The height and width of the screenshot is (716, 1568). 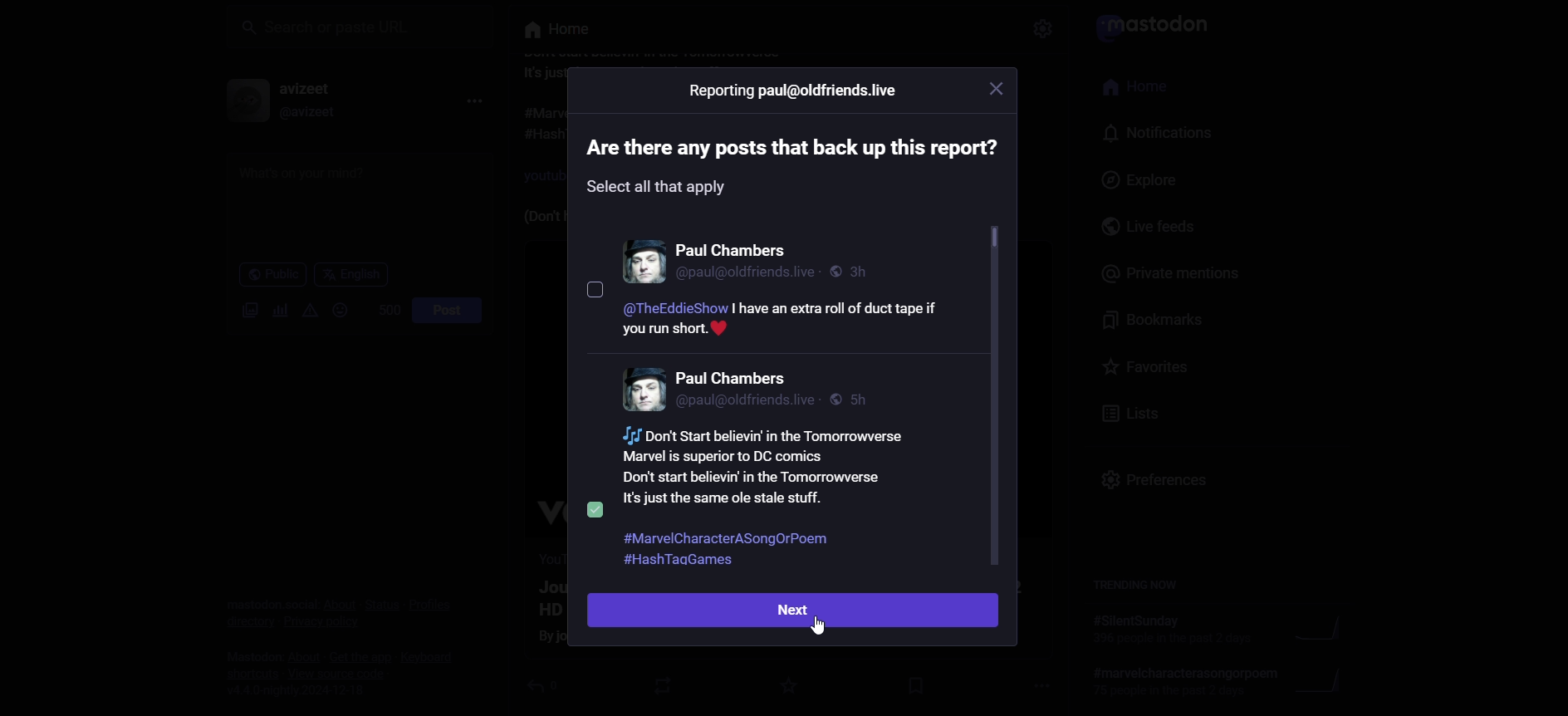 What do you see at coordinates (792, 91) in the screenshot?
I see `` at bounding box center [792, 91].